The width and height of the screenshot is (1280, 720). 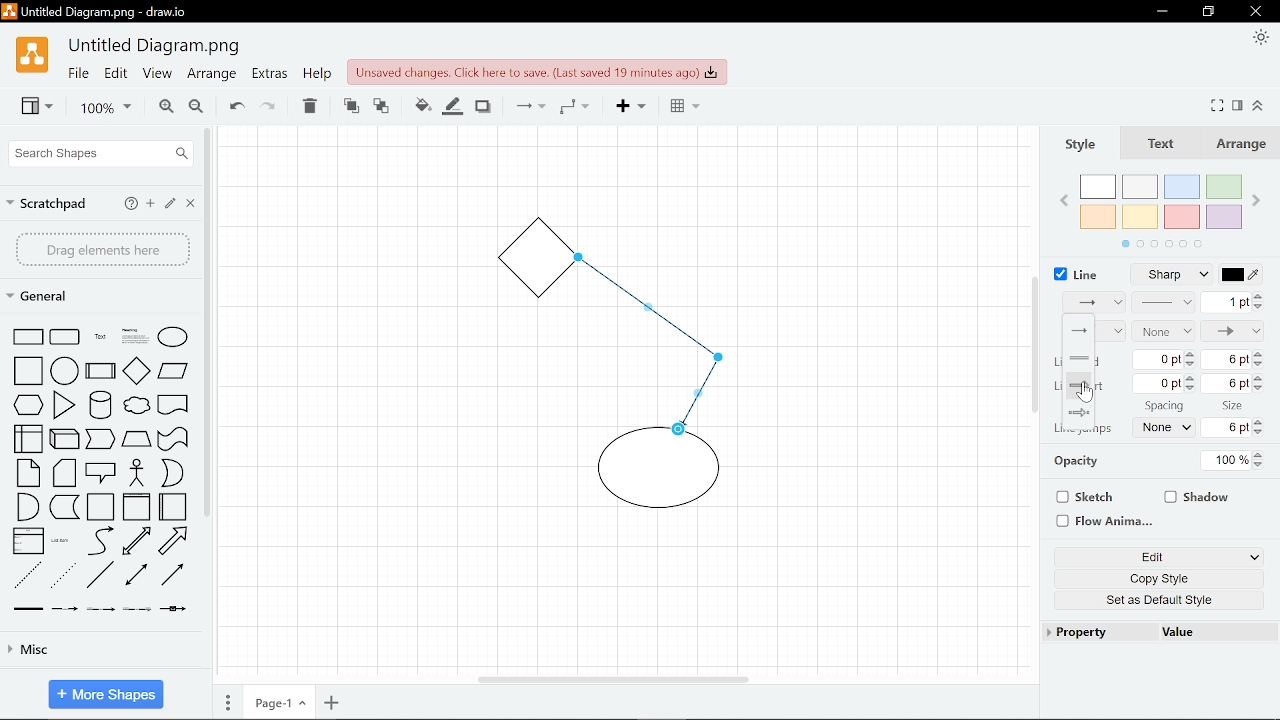 I want to click on Draw.io logo, so click(x=31, y=60).